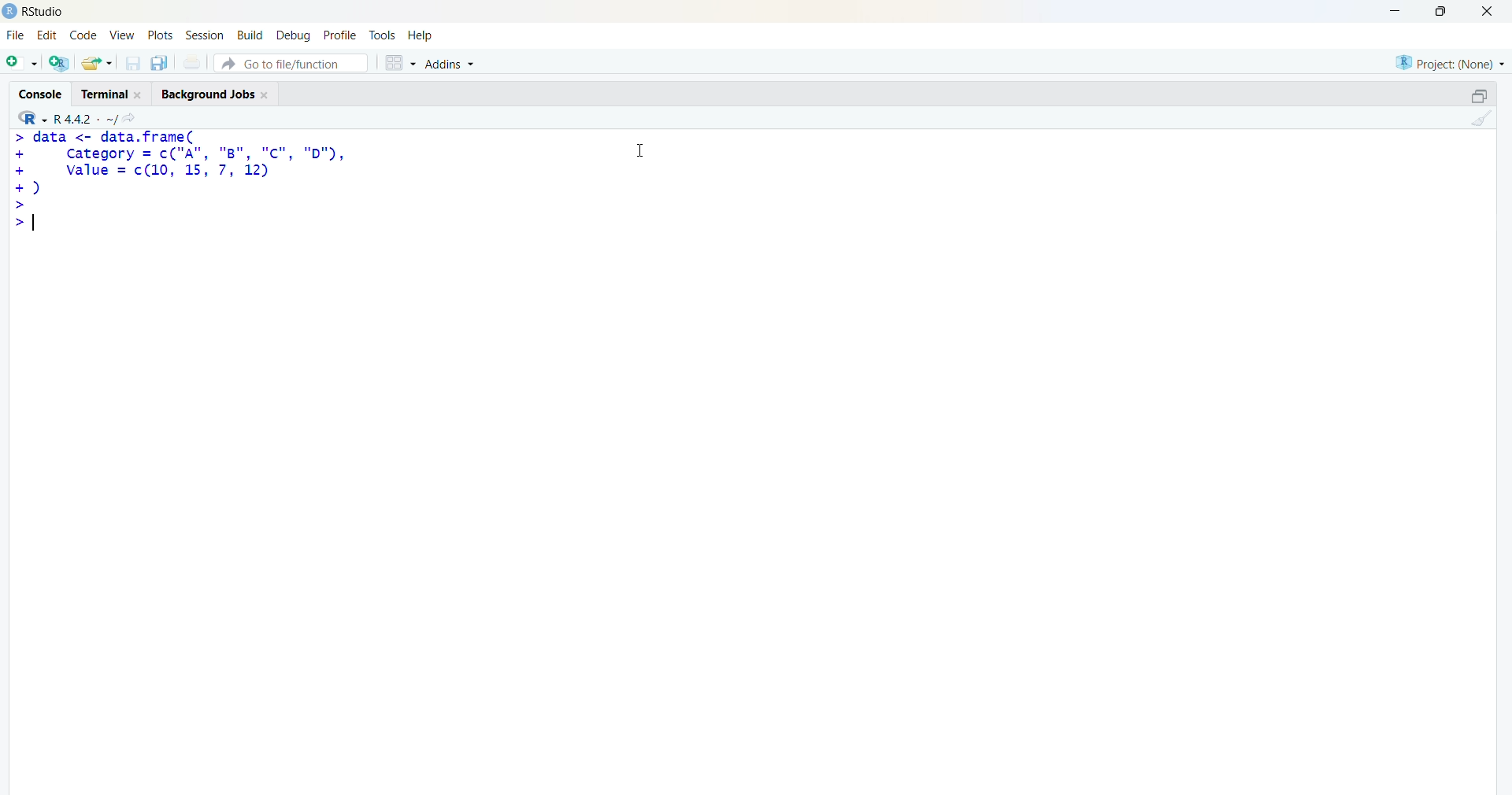 The height and width of the screenshot is (795, 1512). Describe the element at coordinates (1452, 62) in the screenshot. I see `selected project - none` at that location.